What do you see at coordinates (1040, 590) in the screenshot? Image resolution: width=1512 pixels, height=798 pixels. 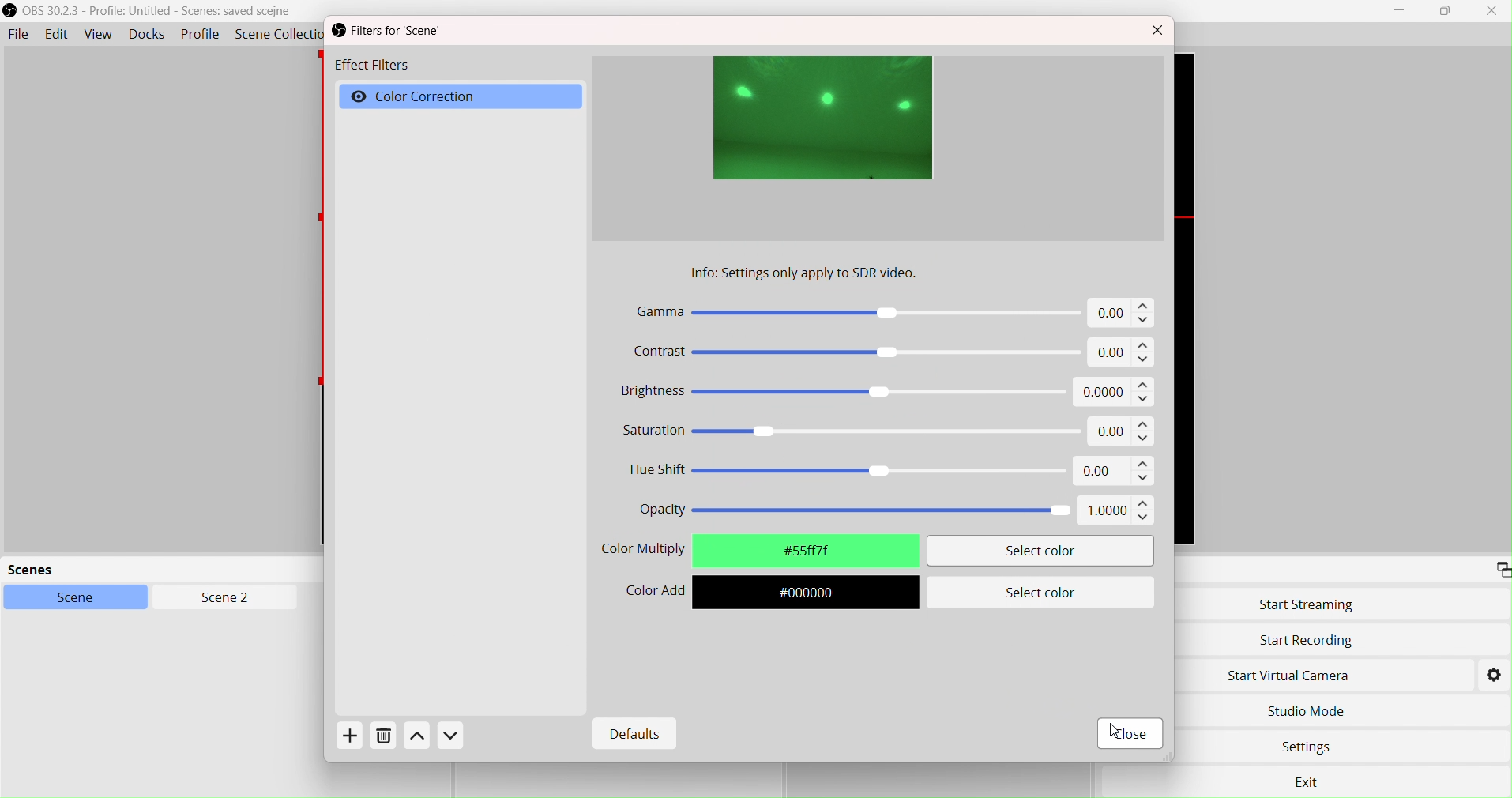 I see ` Select color` at bounding box center [1040, 590].